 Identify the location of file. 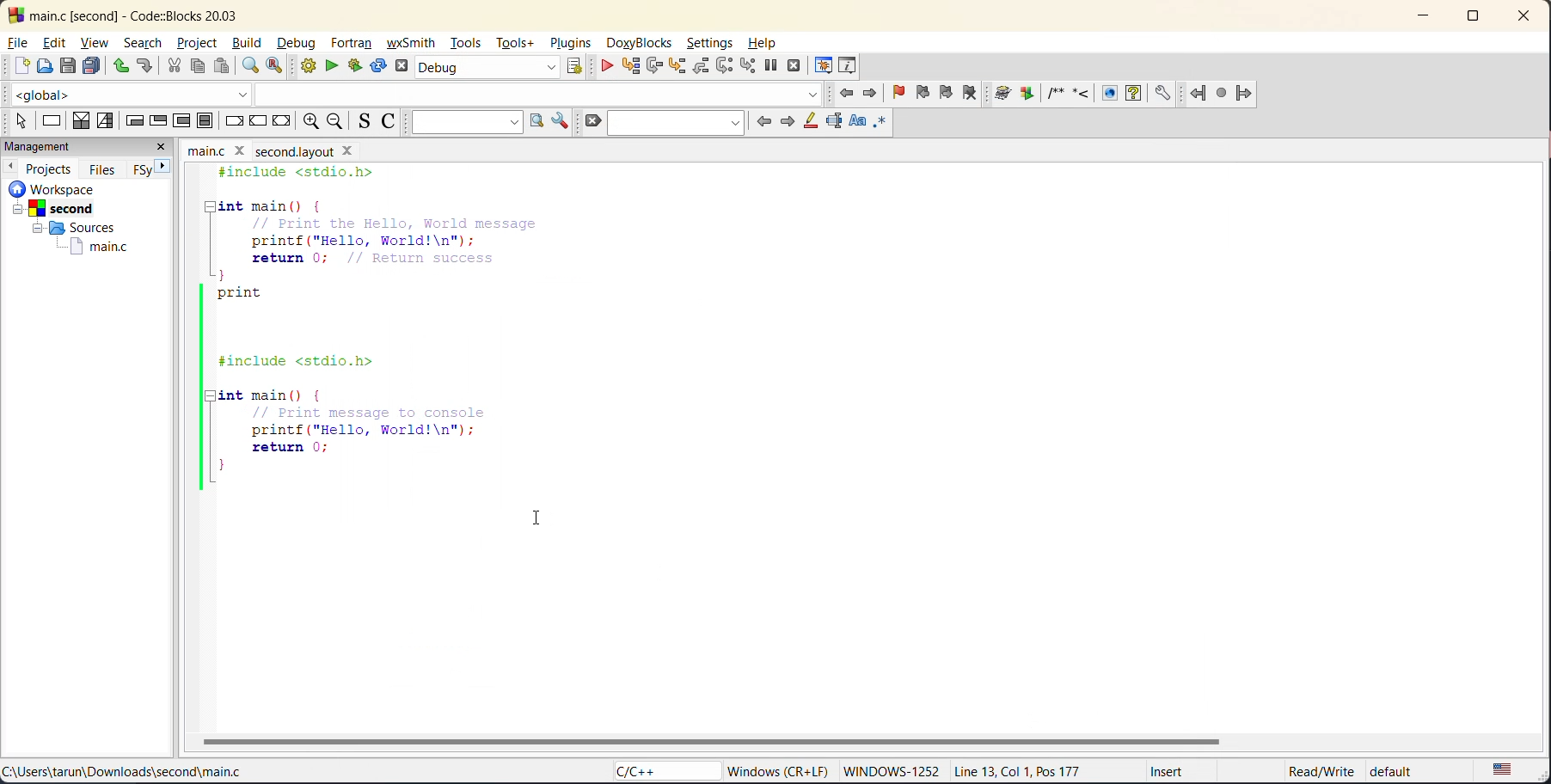
(20, 43).